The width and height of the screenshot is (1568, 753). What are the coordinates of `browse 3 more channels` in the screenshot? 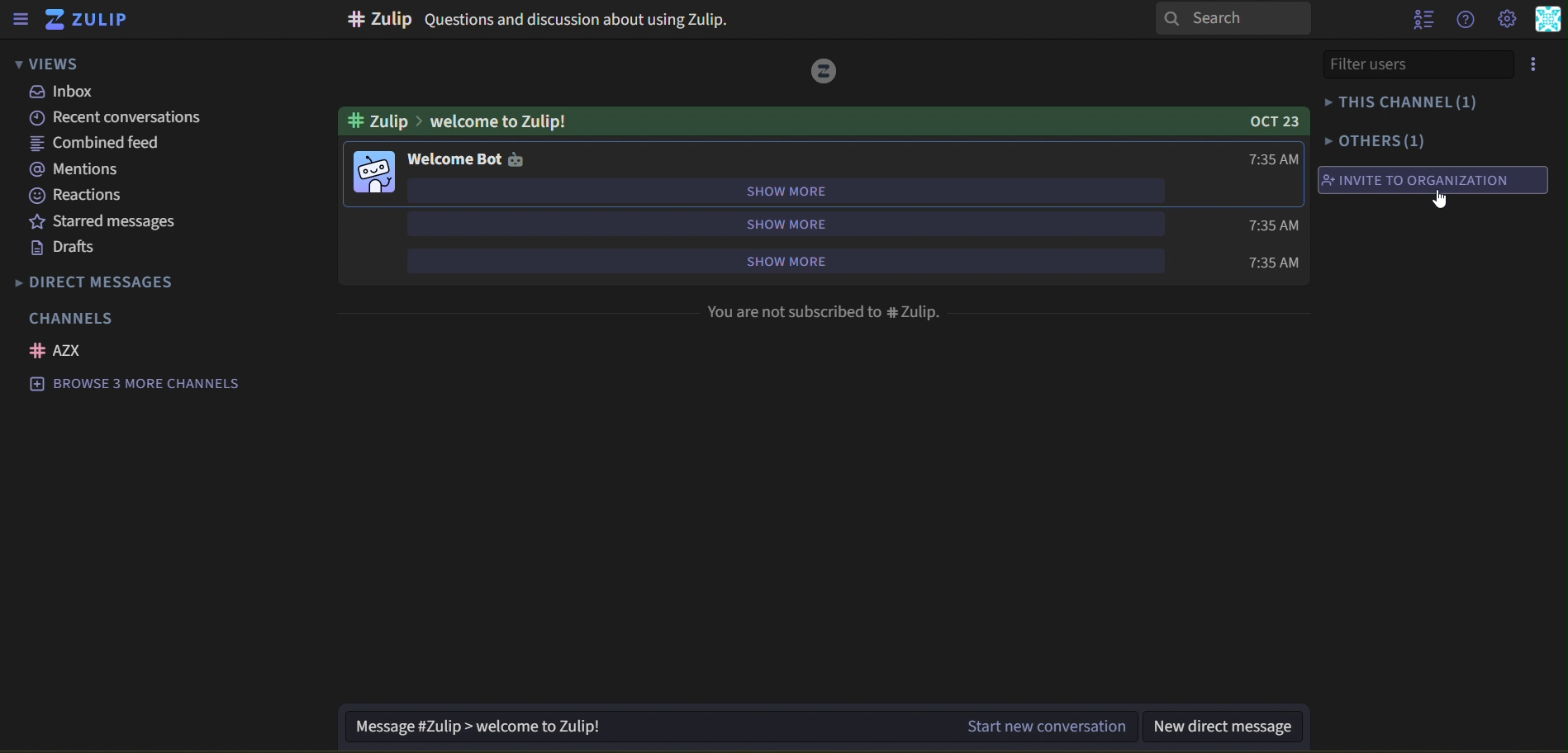 It's located at (146, 385).